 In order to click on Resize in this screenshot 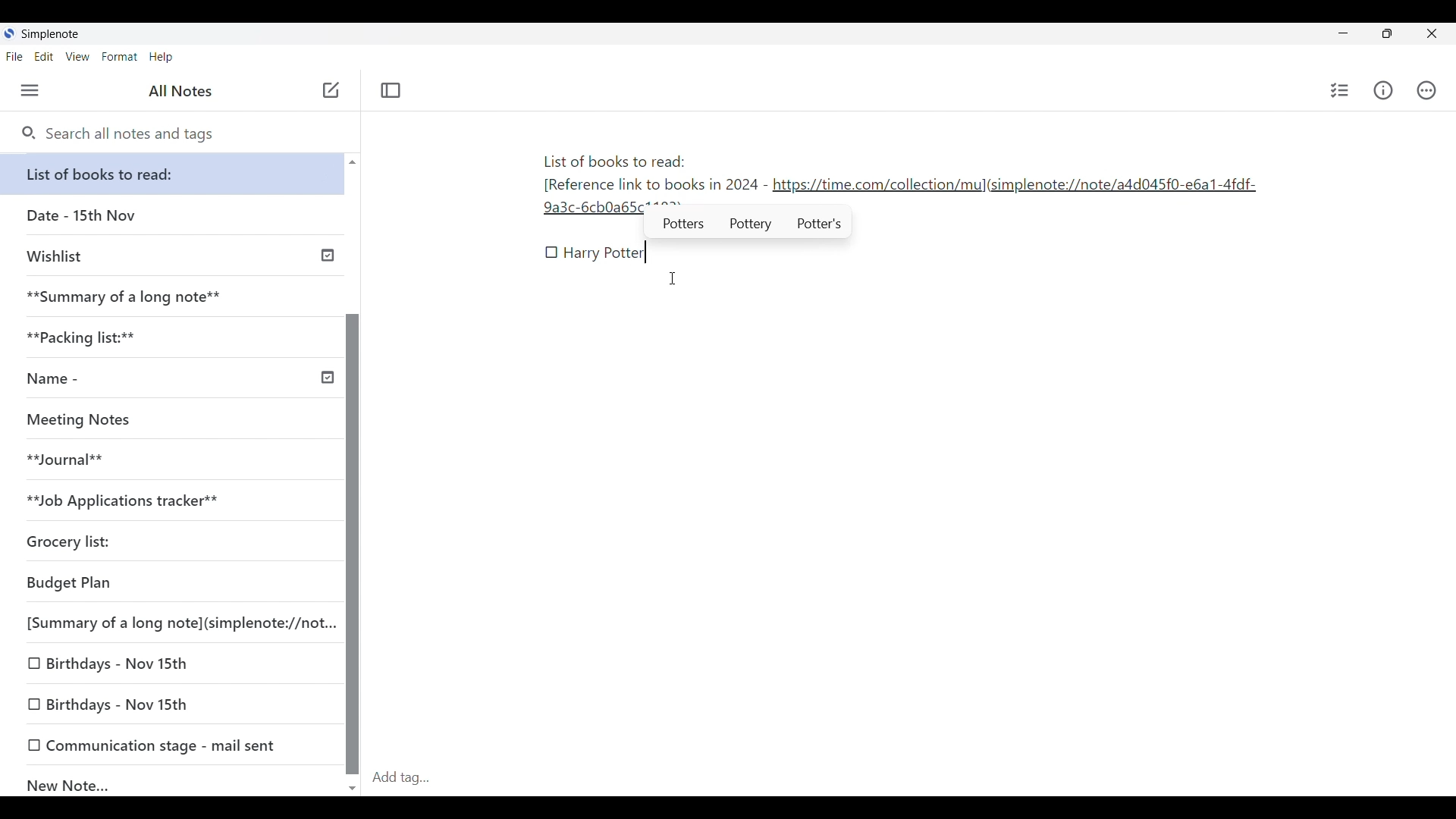, I will do `click(1382, 35)`.